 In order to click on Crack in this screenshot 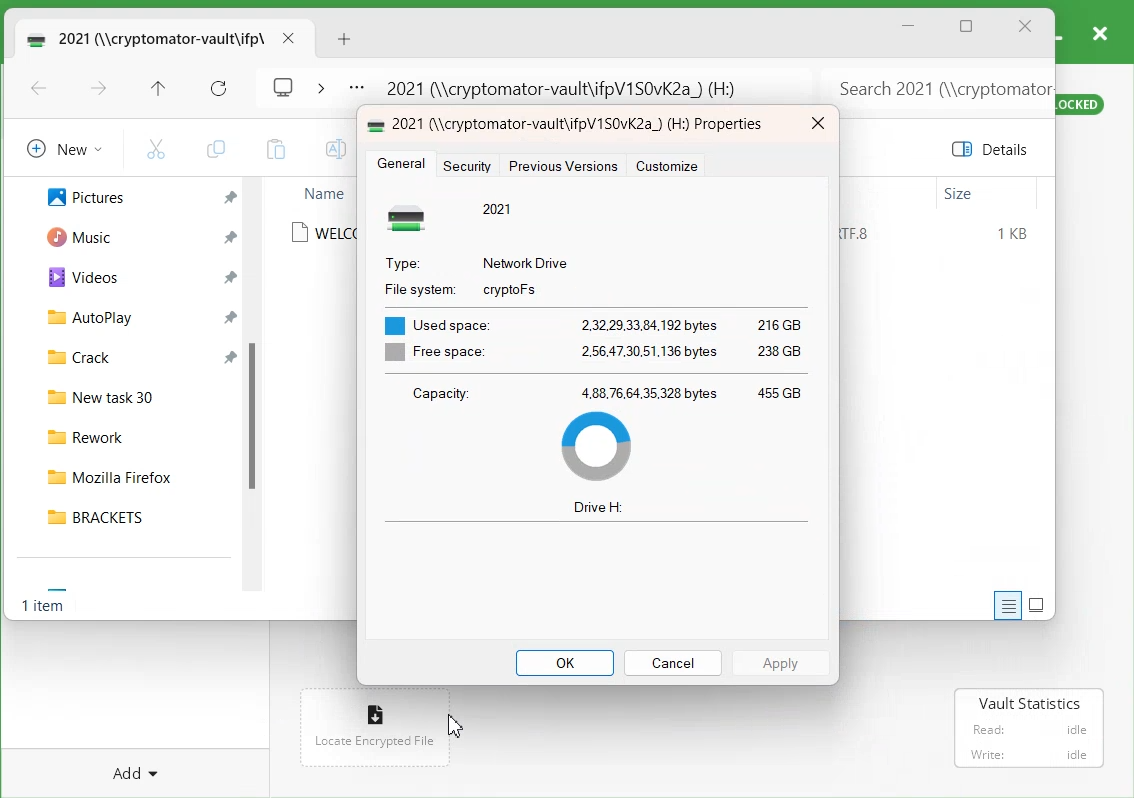, I will do `click(70, 355)`.